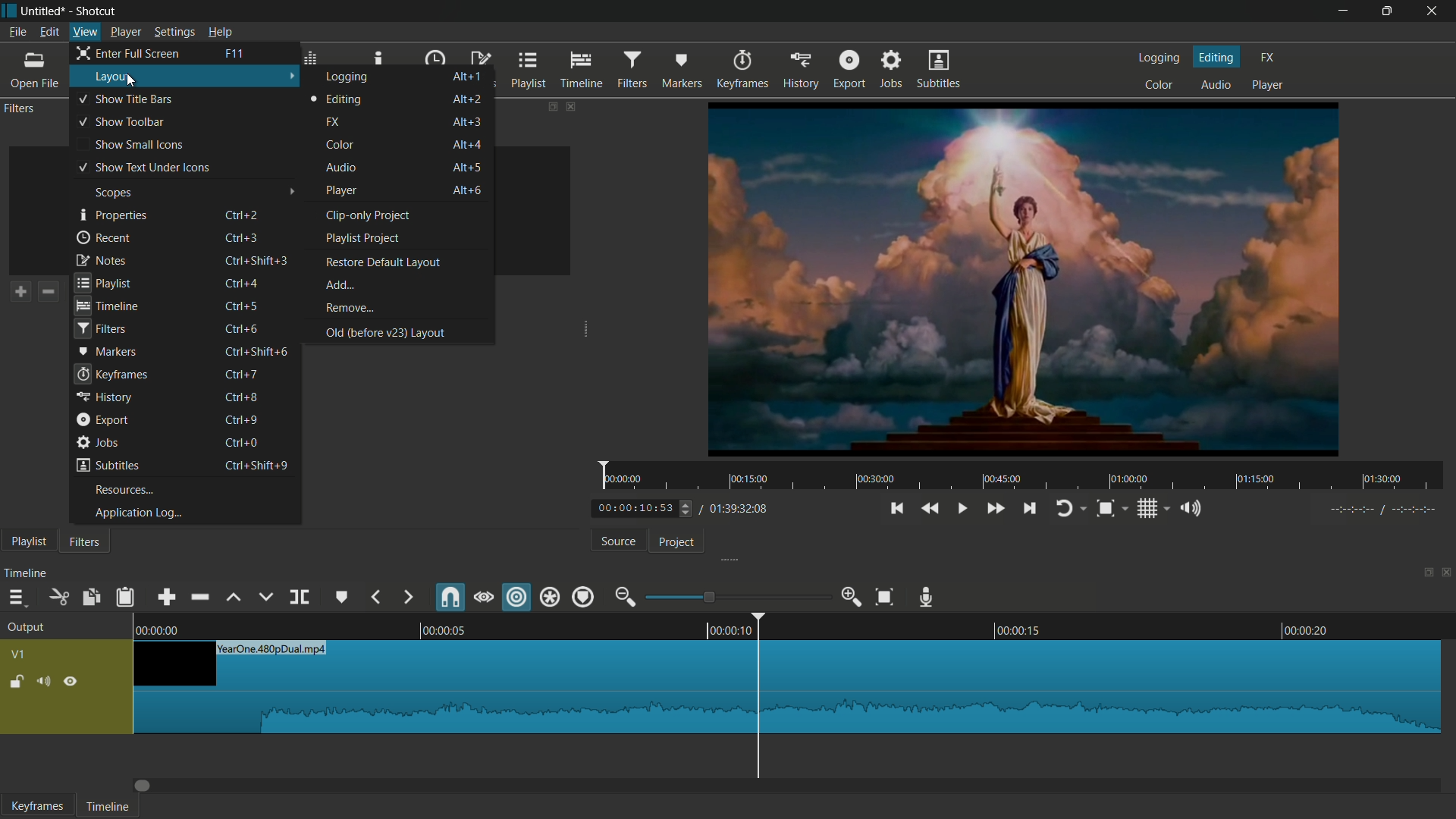 The image size is (1456, 819). Describe the element at coordinates (467, 143) in the screenshot. I see `keyboard shortcut` at that location.